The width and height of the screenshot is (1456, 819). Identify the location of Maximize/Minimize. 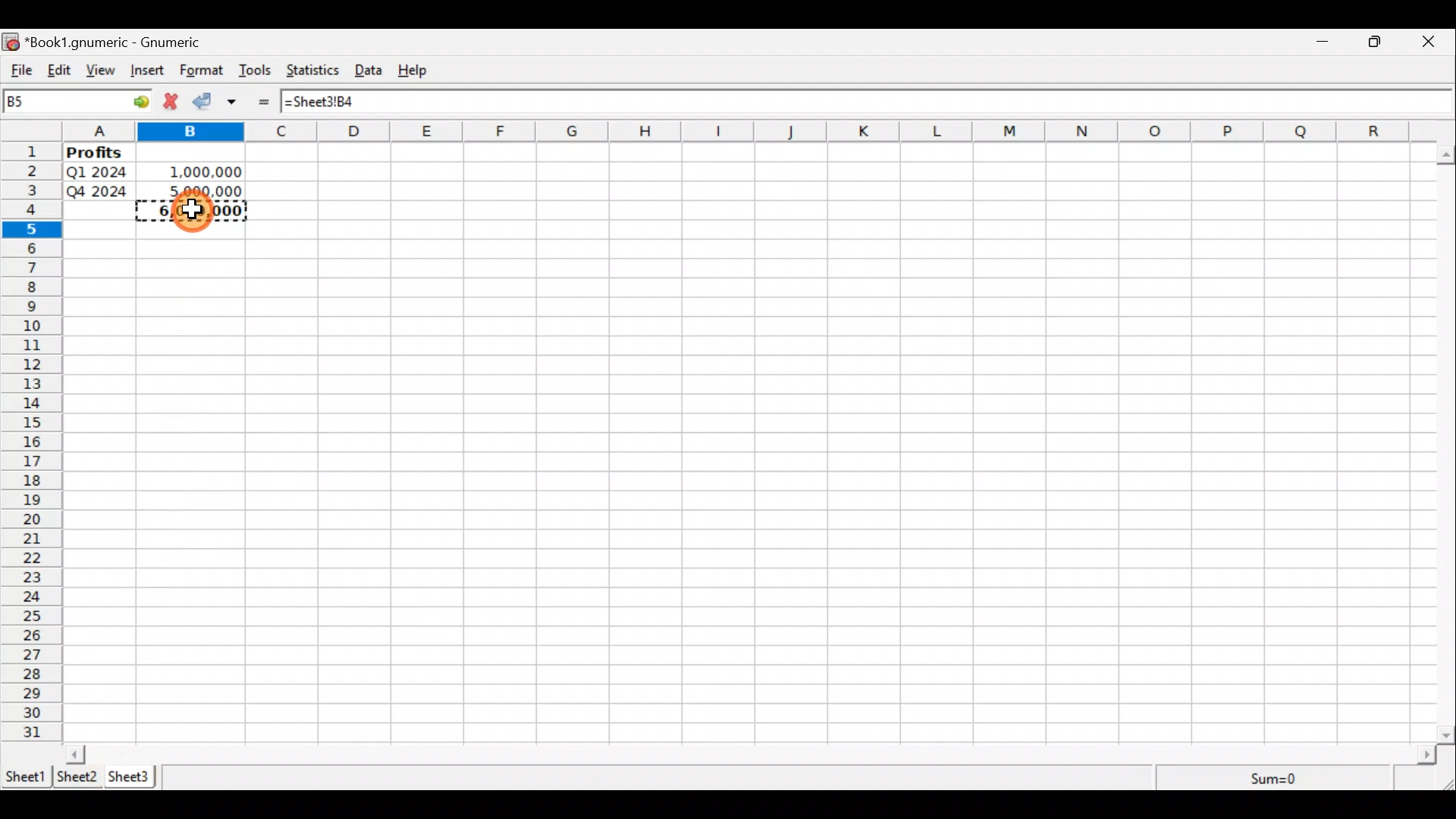
(1379, 42).